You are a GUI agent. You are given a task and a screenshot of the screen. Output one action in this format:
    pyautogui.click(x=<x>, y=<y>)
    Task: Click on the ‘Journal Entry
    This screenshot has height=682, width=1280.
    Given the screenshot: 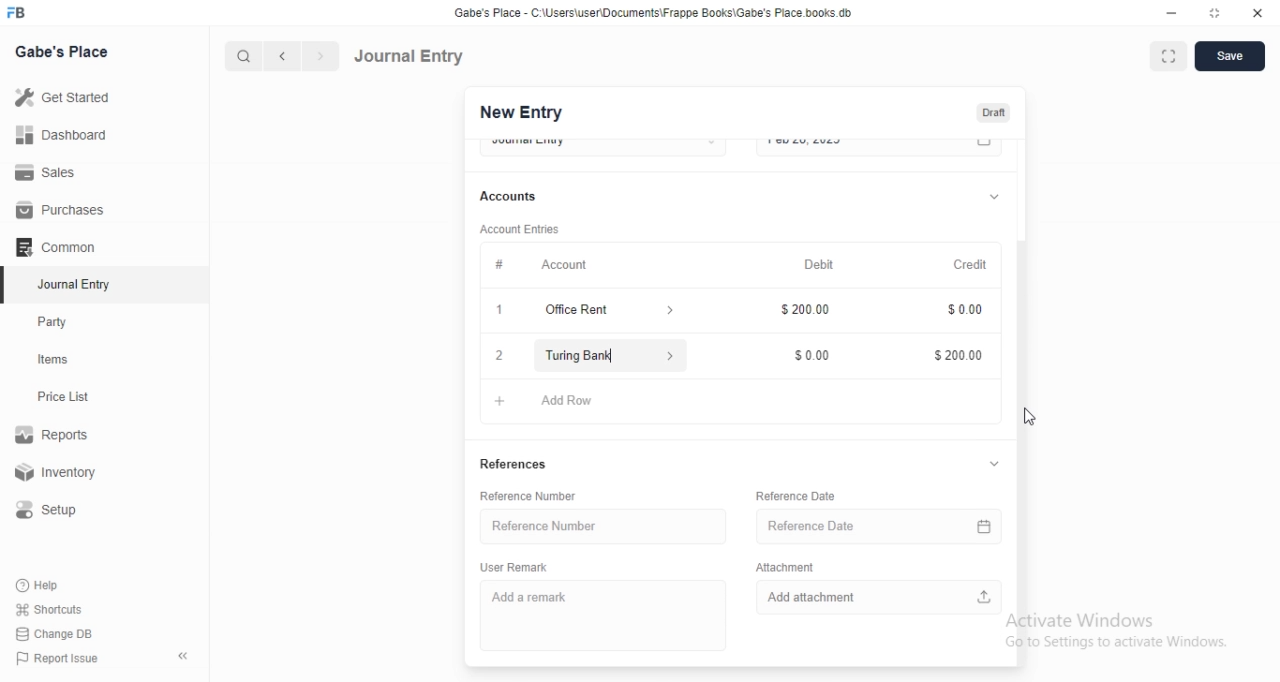 What is the action you would take?
    pyautogui.click(x=77, y=284)
    